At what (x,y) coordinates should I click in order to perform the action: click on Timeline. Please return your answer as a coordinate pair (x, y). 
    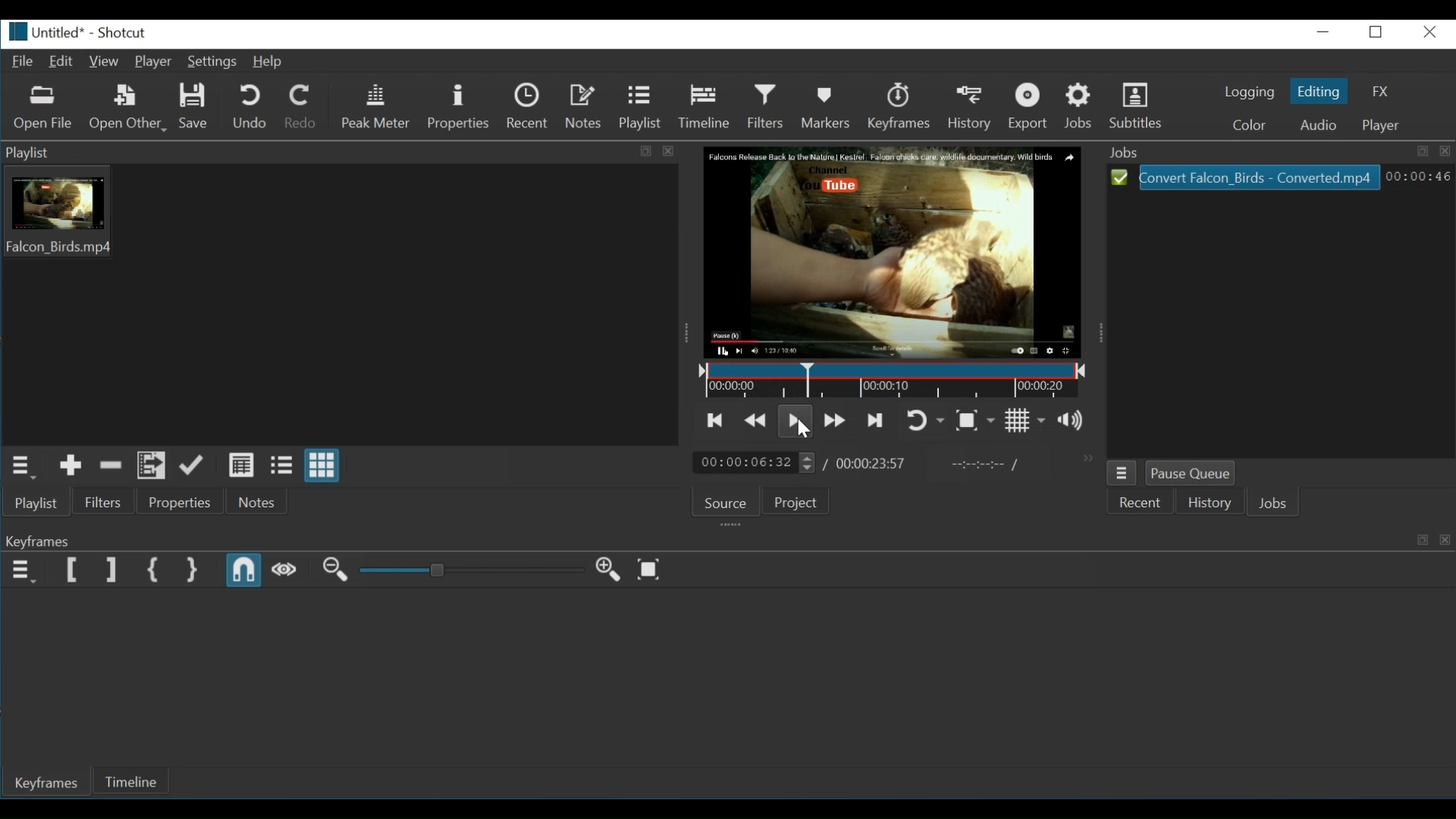
    Looking at the image, I should click on (131, 783).